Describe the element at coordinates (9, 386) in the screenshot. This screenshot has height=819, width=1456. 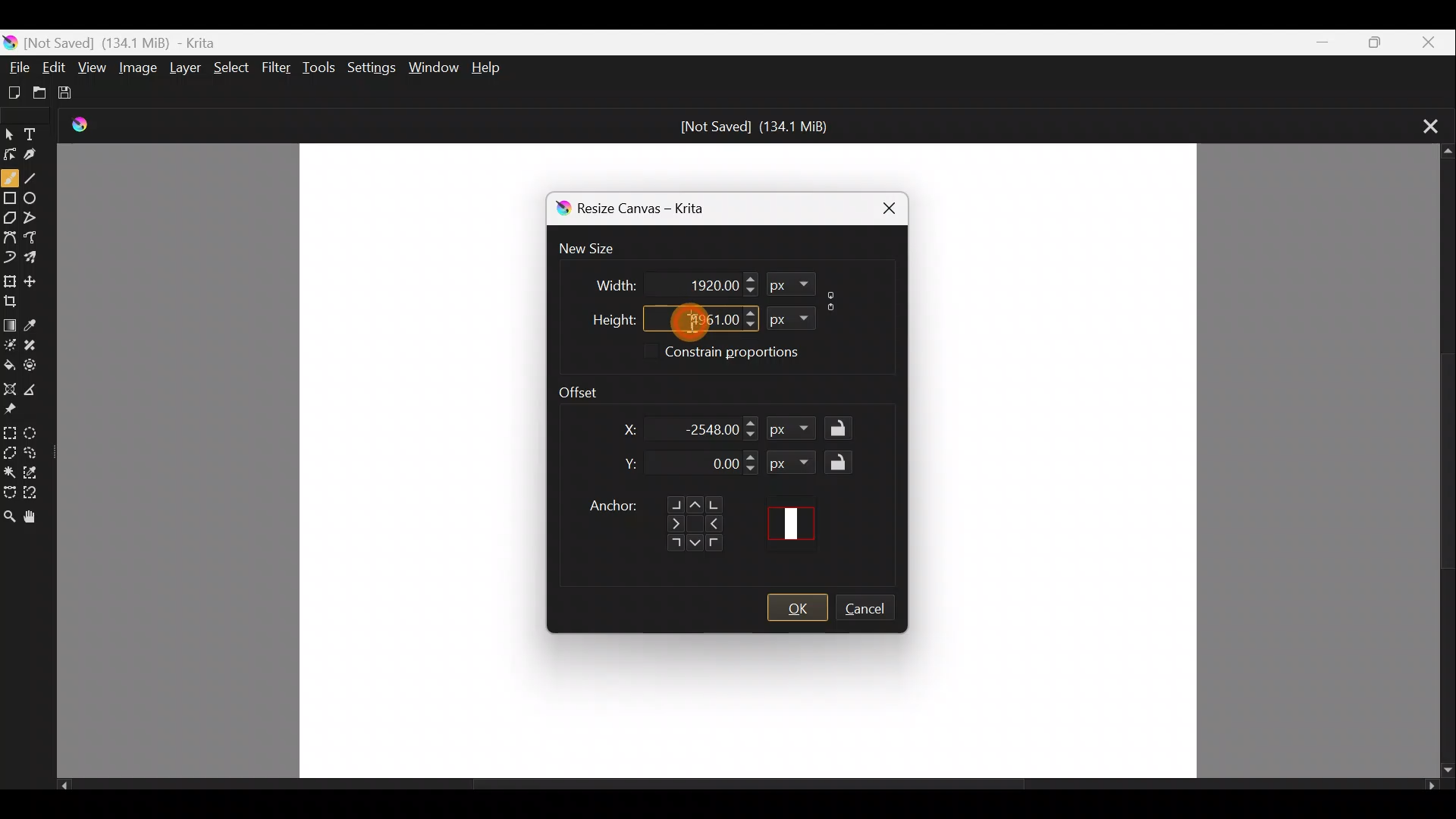
I see `Assistant tool` at that location.